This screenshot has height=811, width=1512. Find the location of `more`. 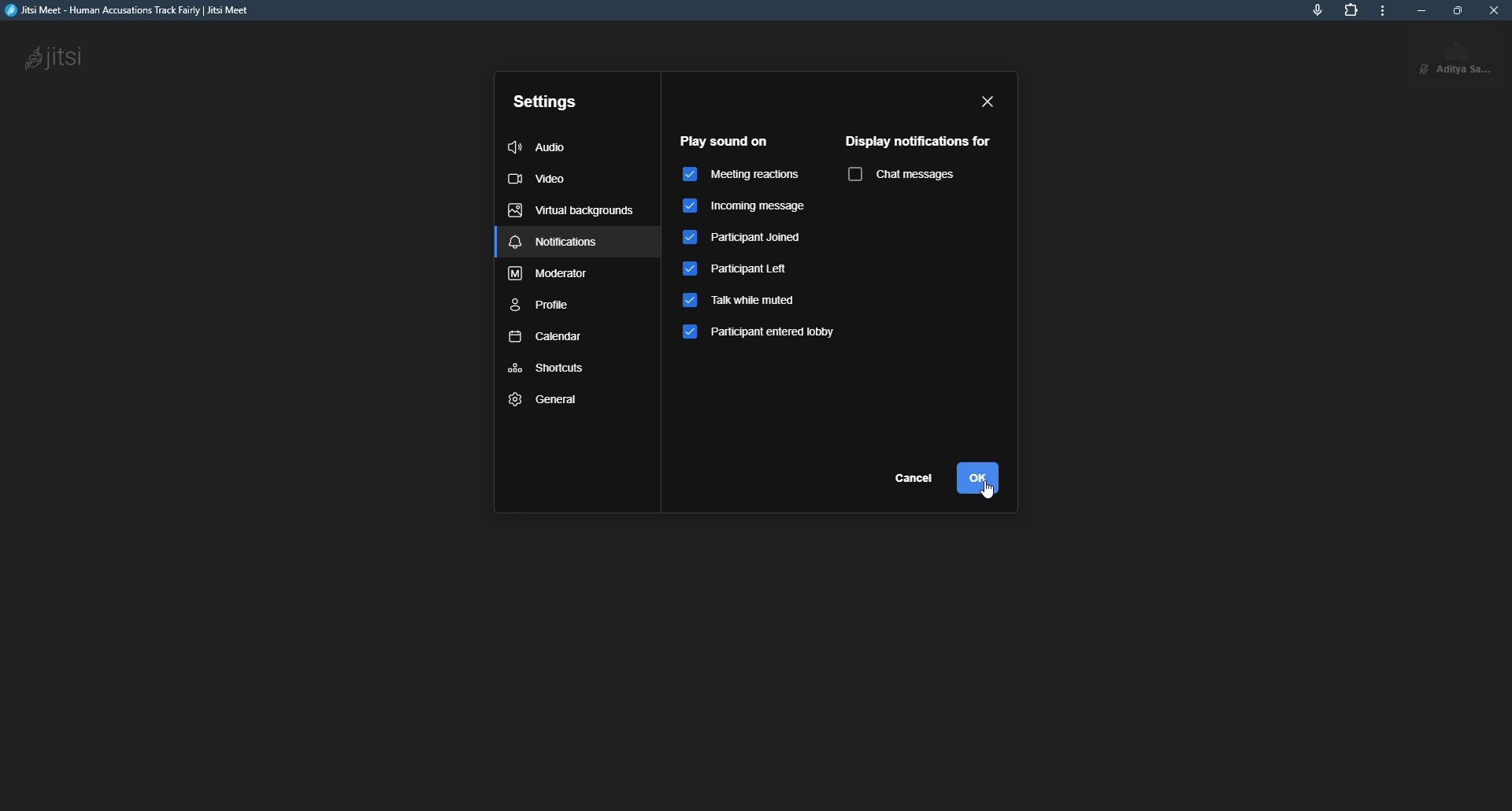

more is located at coordinates (1385, 10).